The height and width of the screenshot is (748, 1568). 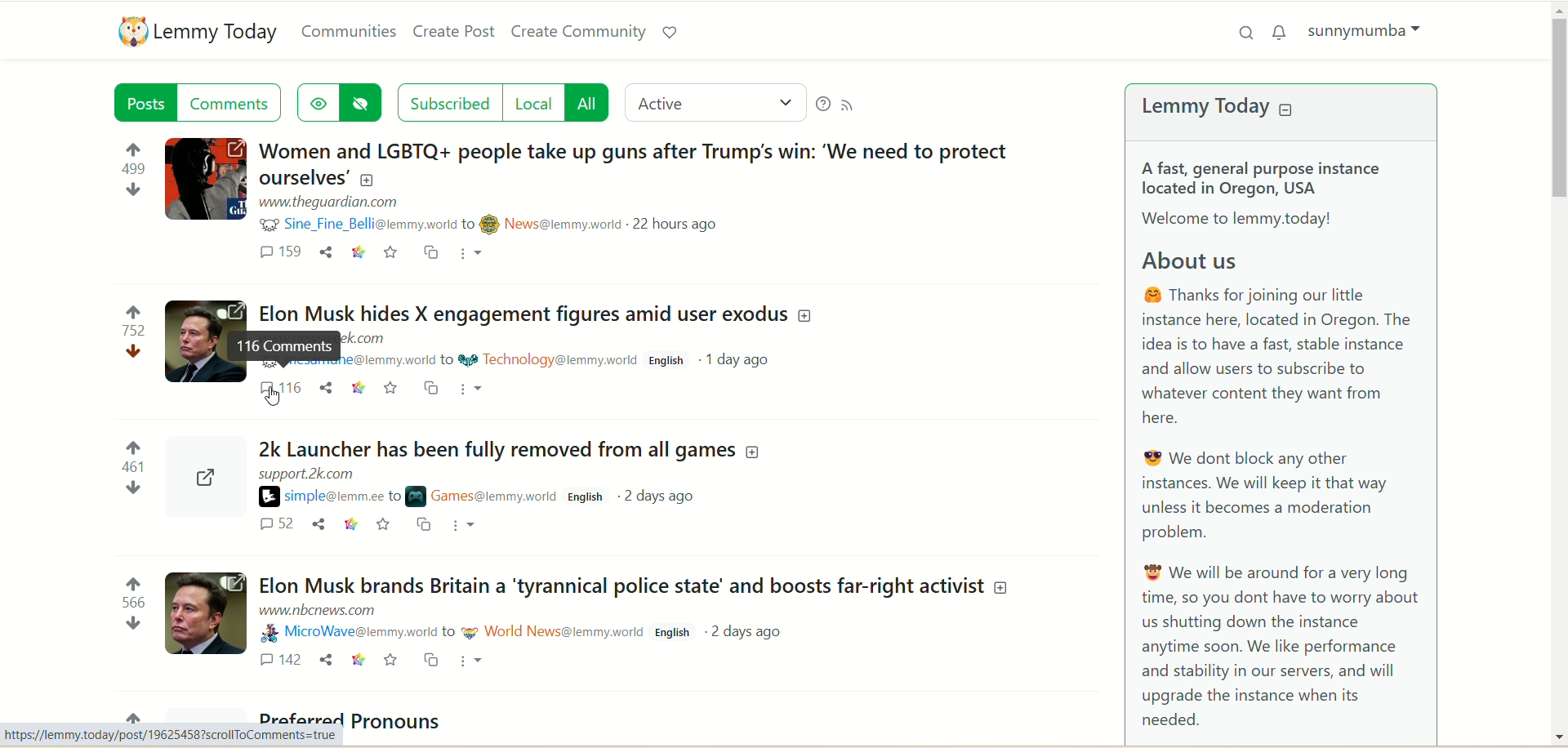 What do you see at coordinates (359, 387) in the screenshot?
I see `link` at bounding box center [359, 387].